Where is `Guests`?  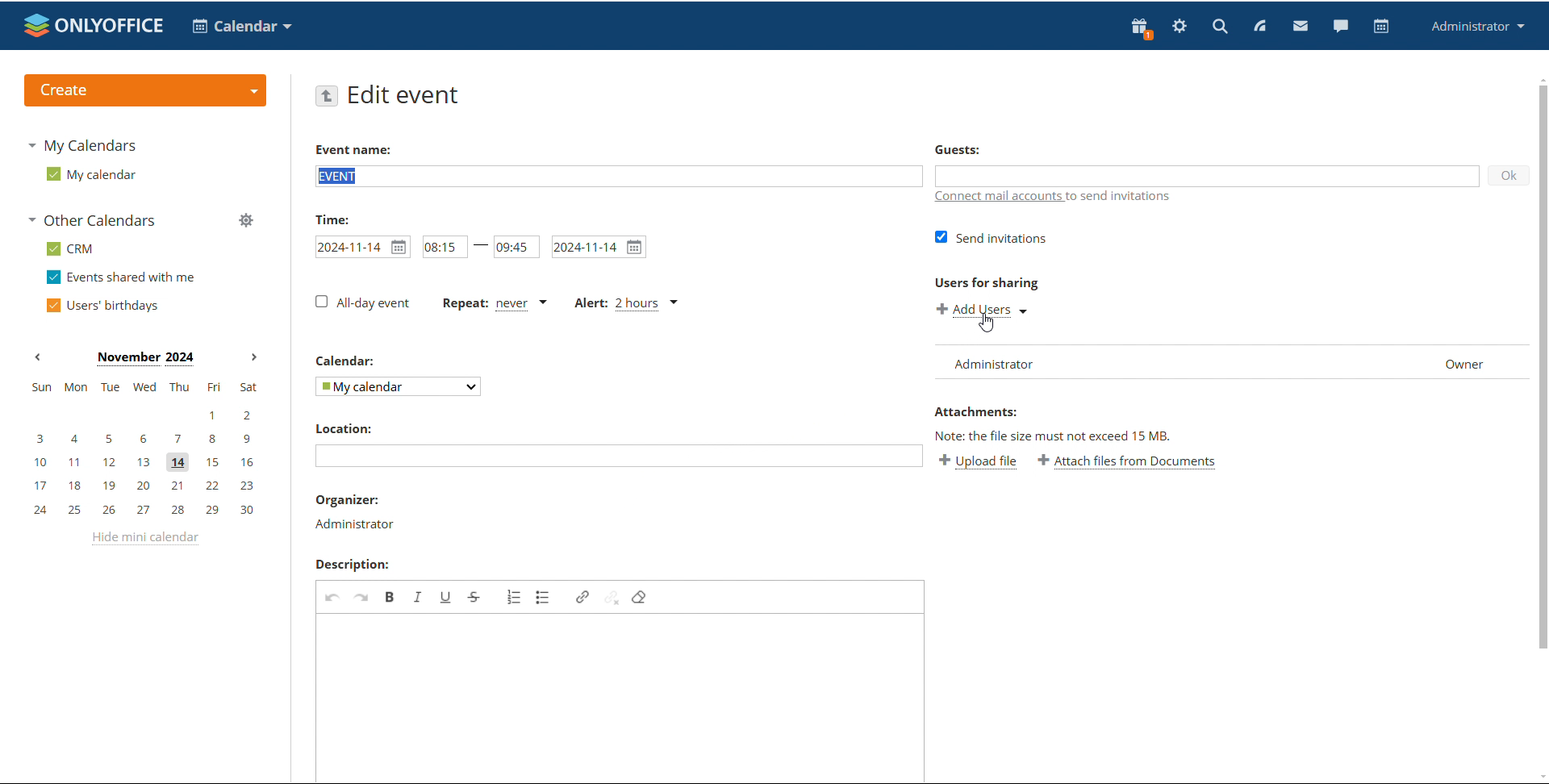 Guests is located at coordinates (960, 149).